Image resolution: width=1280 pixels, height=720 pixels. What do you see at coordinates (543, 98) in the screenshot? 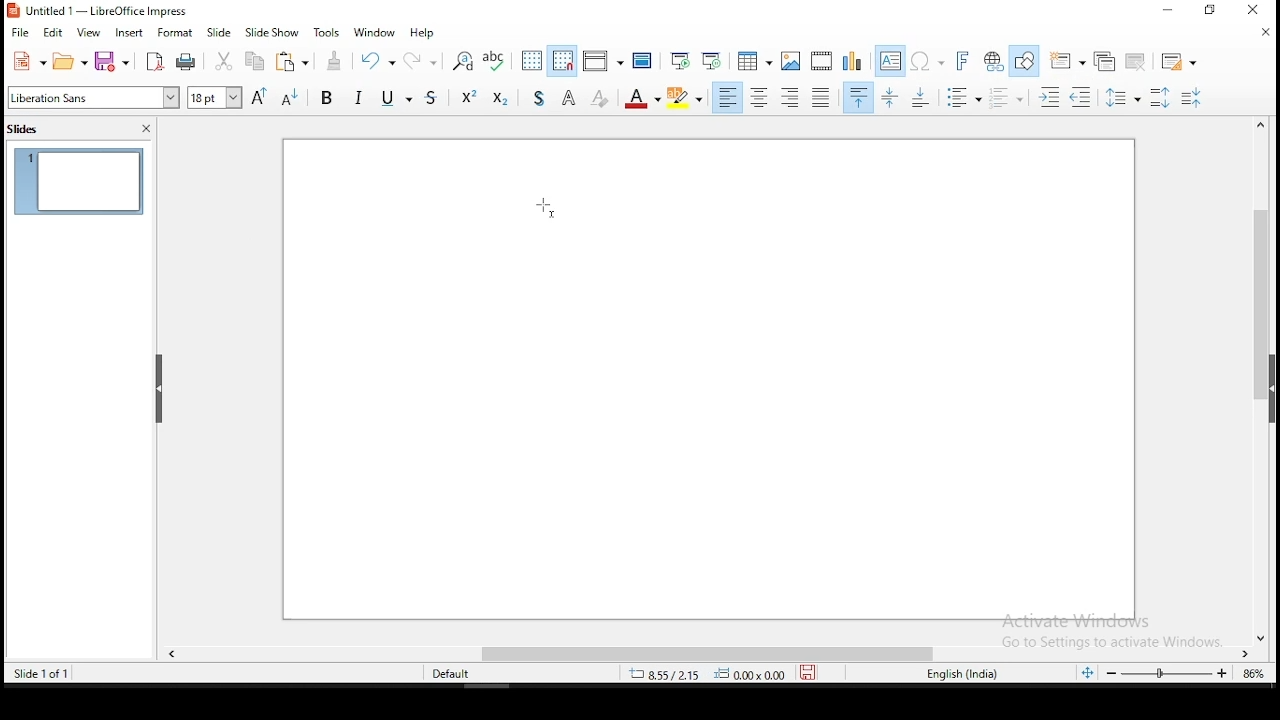
I see `toggle shadow` at bounding box center [543, 98].